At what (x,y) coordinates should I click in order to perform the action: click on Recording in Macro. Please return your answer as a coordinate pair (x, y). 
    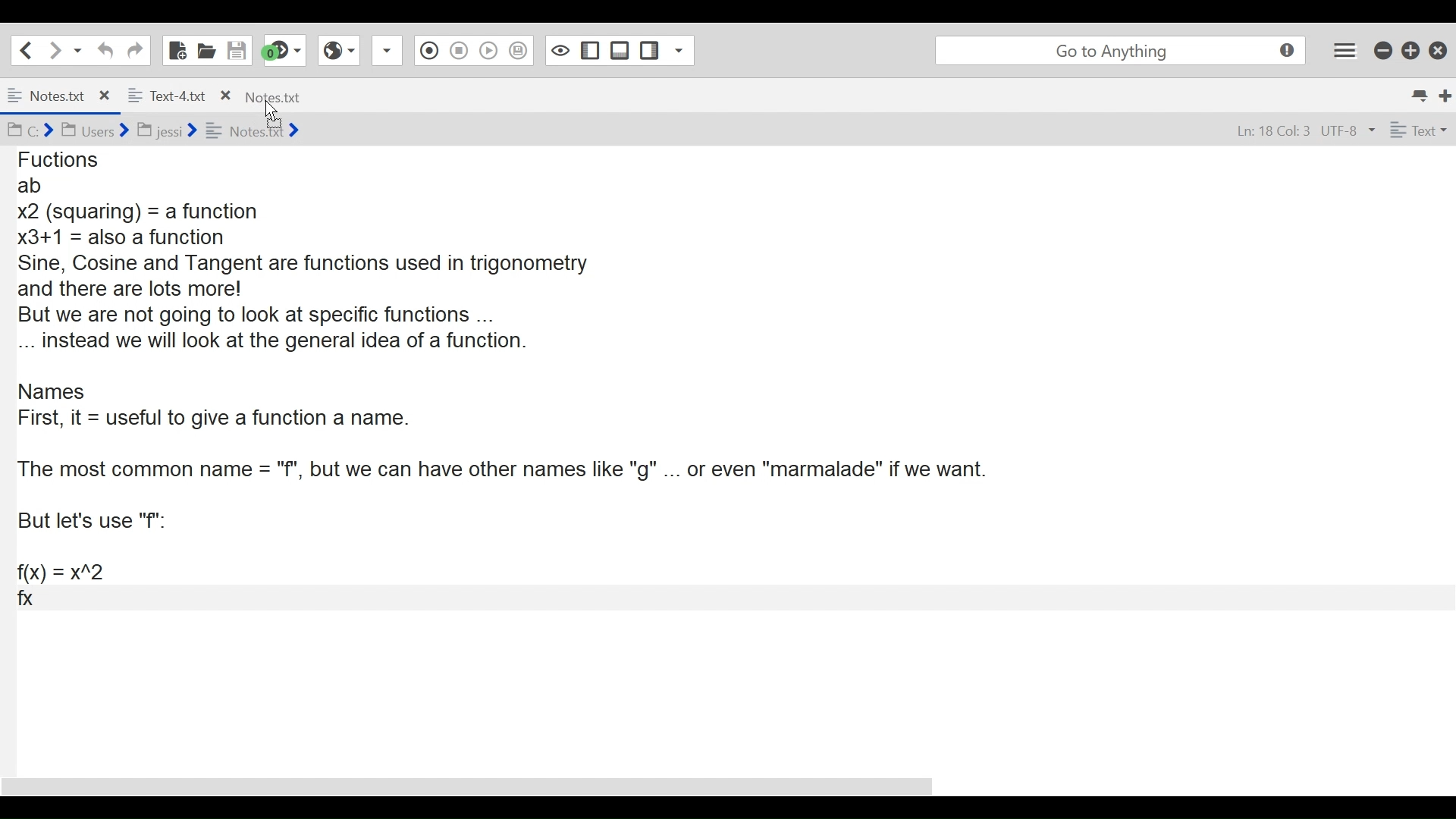
    Looking at the image, I should click on (429, 51).